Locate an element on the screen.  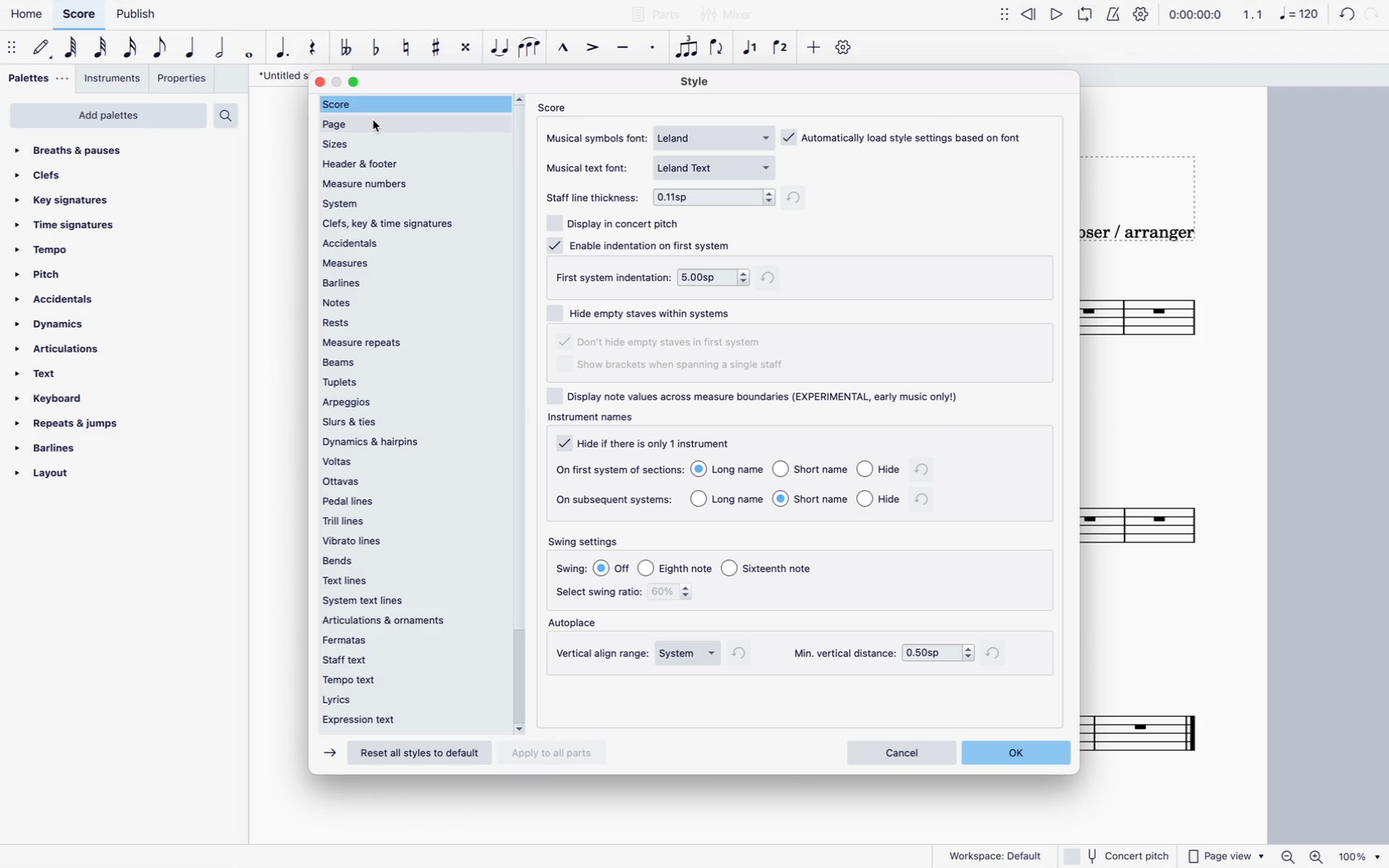
toggle natural is located at coordinates (406, 46).